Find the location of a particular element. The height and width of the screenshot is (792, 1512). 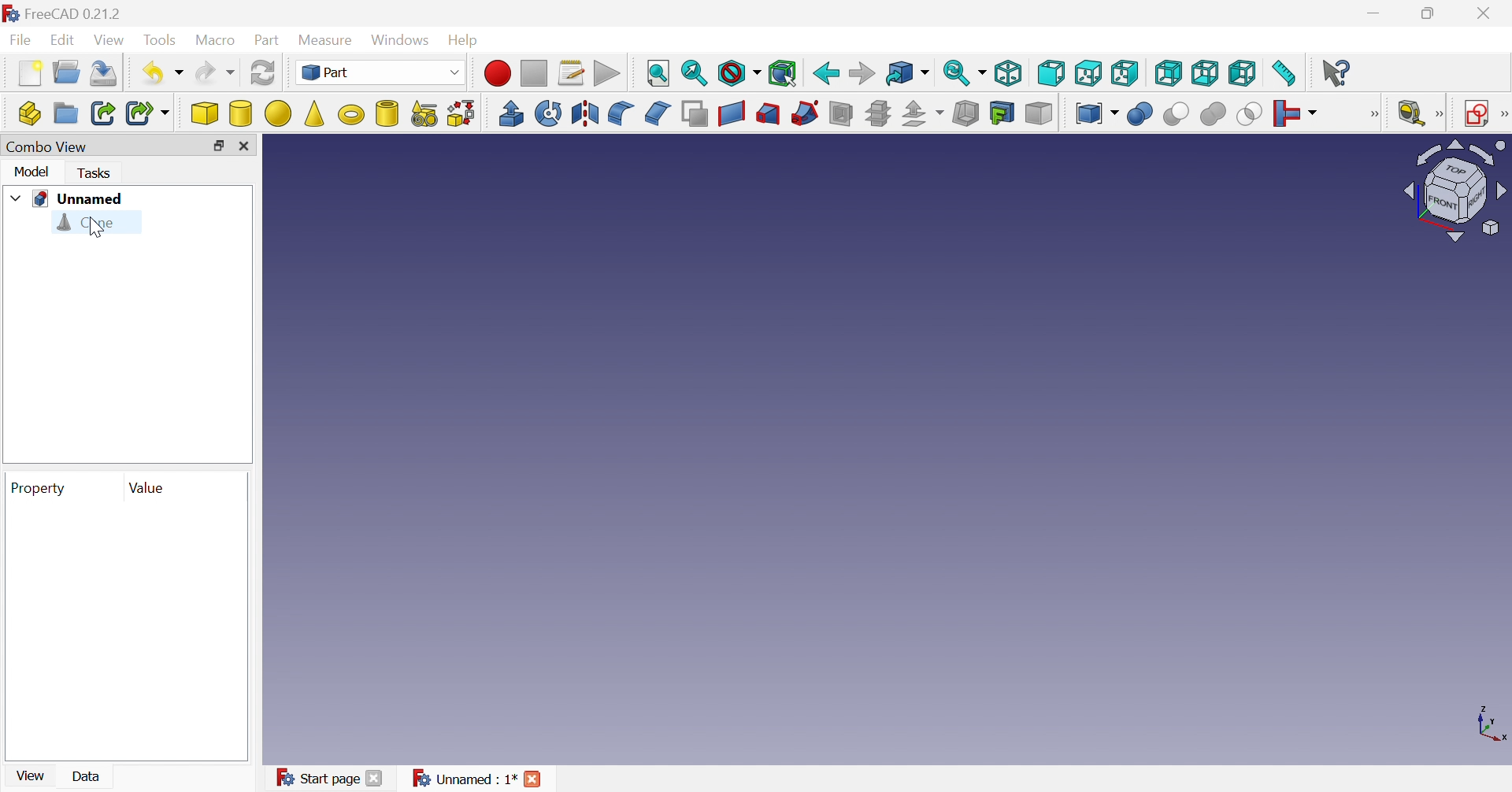

View is located at coordinates (30, 779).